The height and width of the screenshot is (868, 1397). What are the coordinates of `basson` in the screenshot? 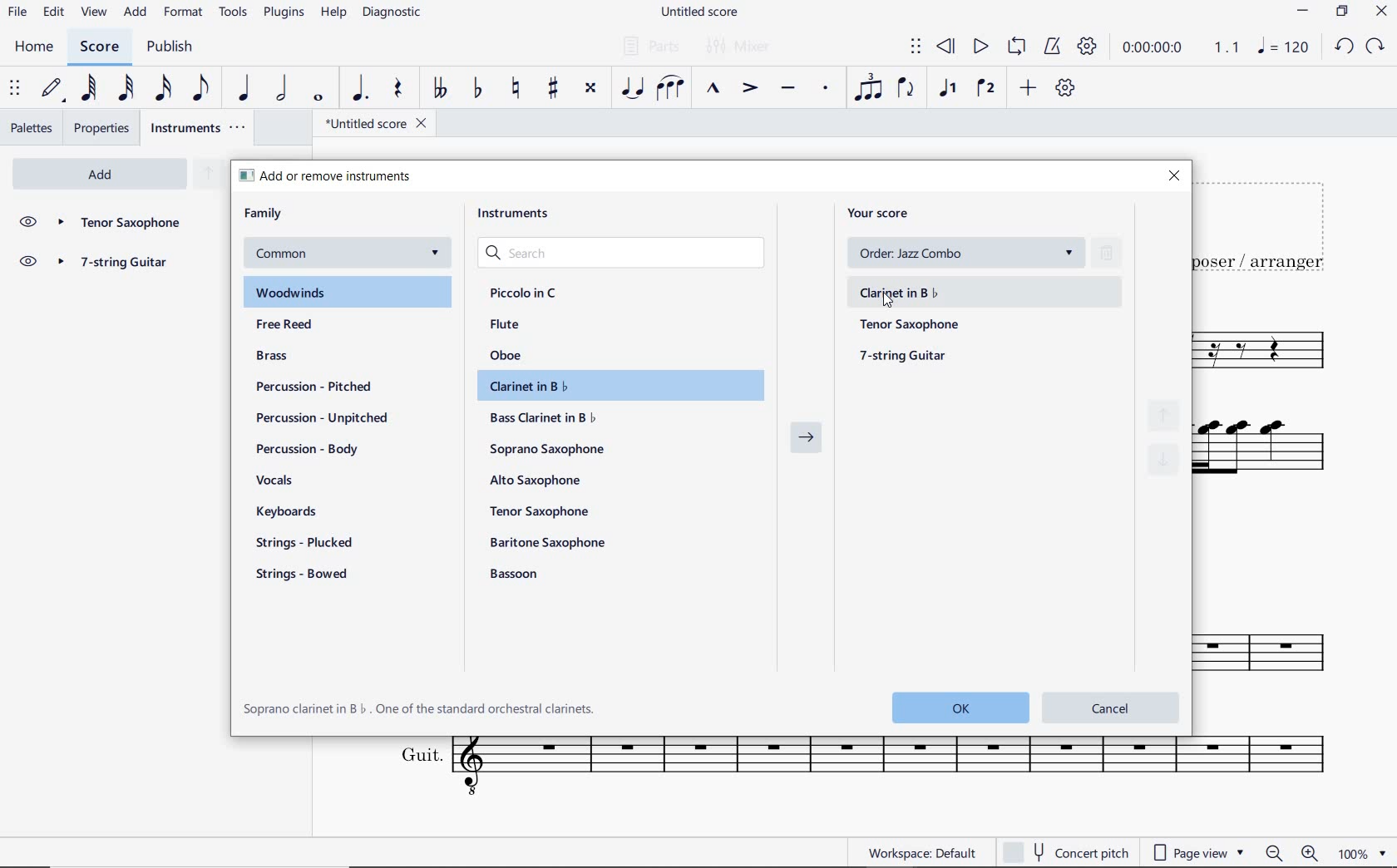 It's located at (516, 574).